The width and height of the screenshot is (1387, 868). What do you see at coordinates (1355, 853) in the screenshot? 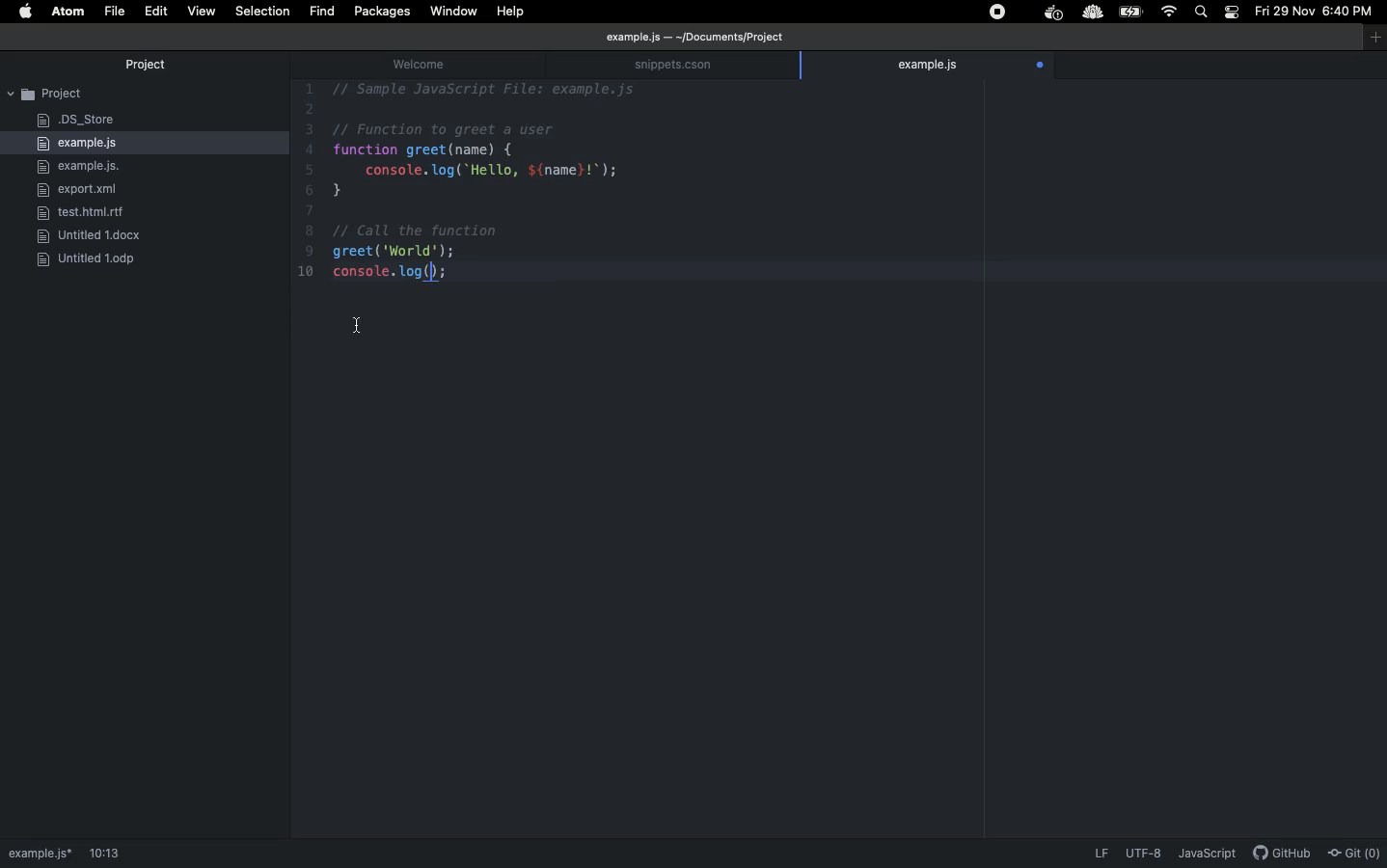
I see `Git` at bounding box center [1355, 853].